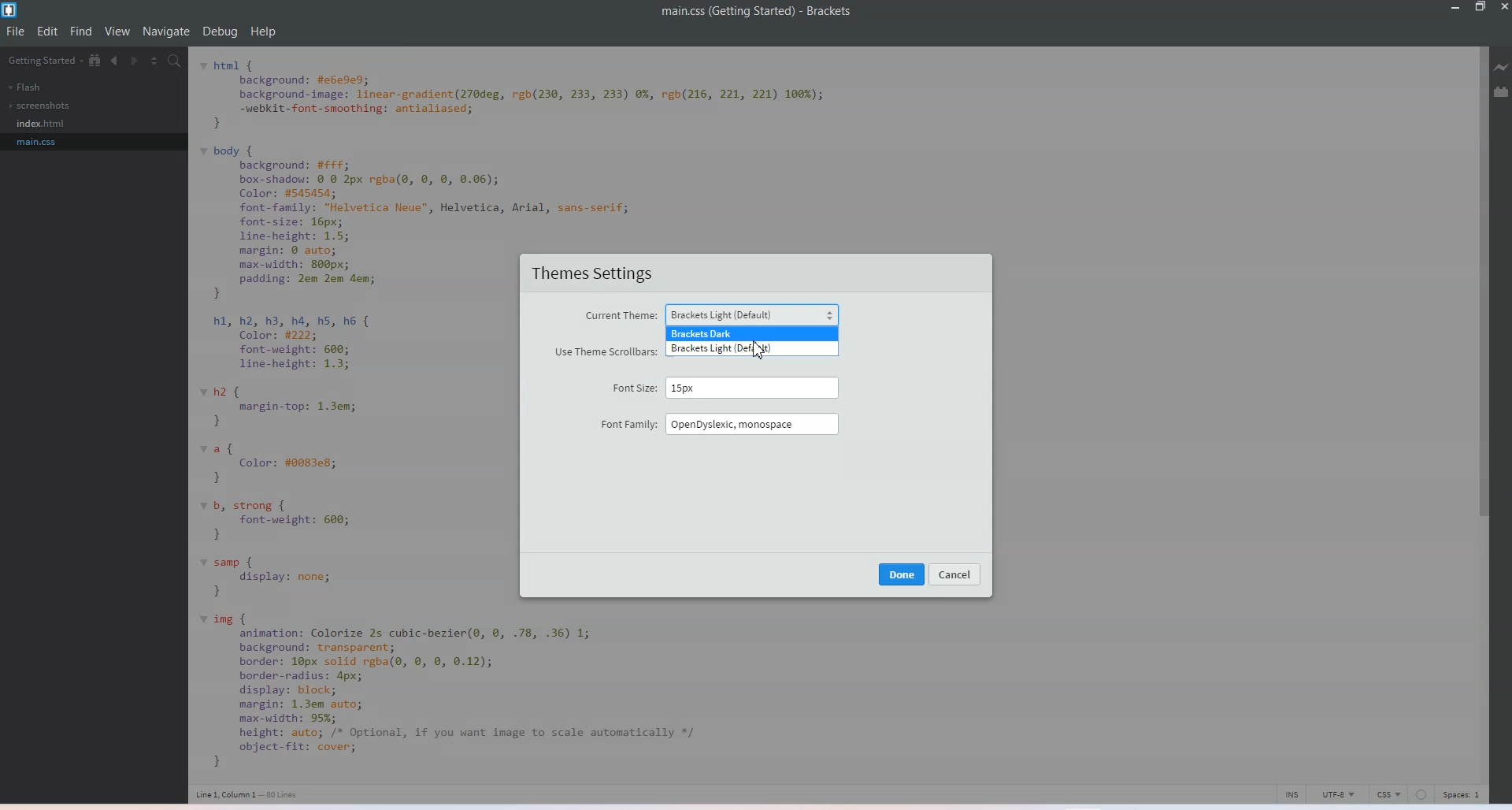 Image resolution: width=1512 pixels, height=810 pixels. What do you see at coordinates (247, 794) in the screenshot?
I see `Line 1, column 1 - 80 lines` at bounding box center [247, 794].